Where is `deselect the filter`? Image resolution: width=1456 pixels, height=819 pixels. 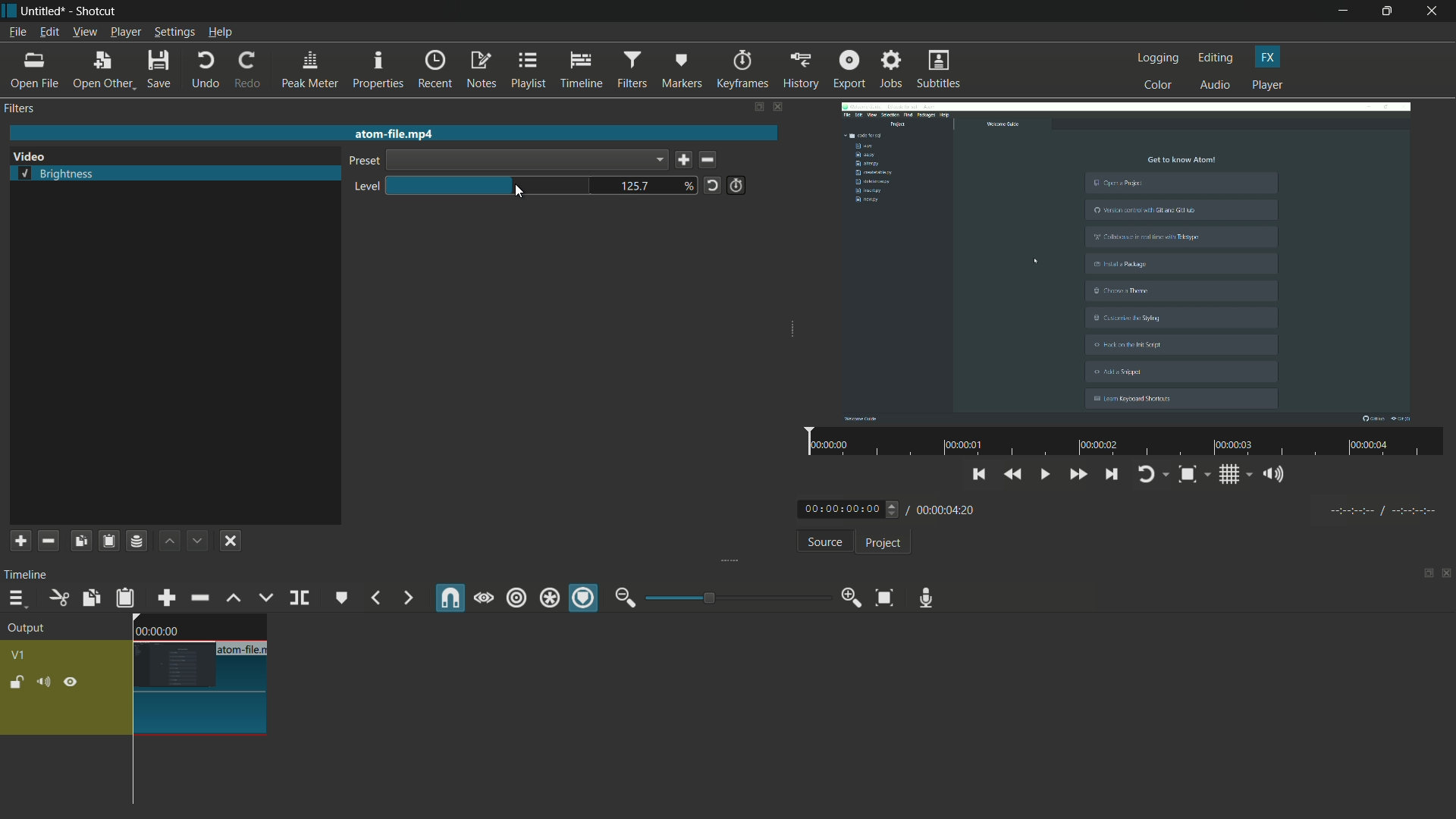
deselect the filter is located at coordinates (231, 541).